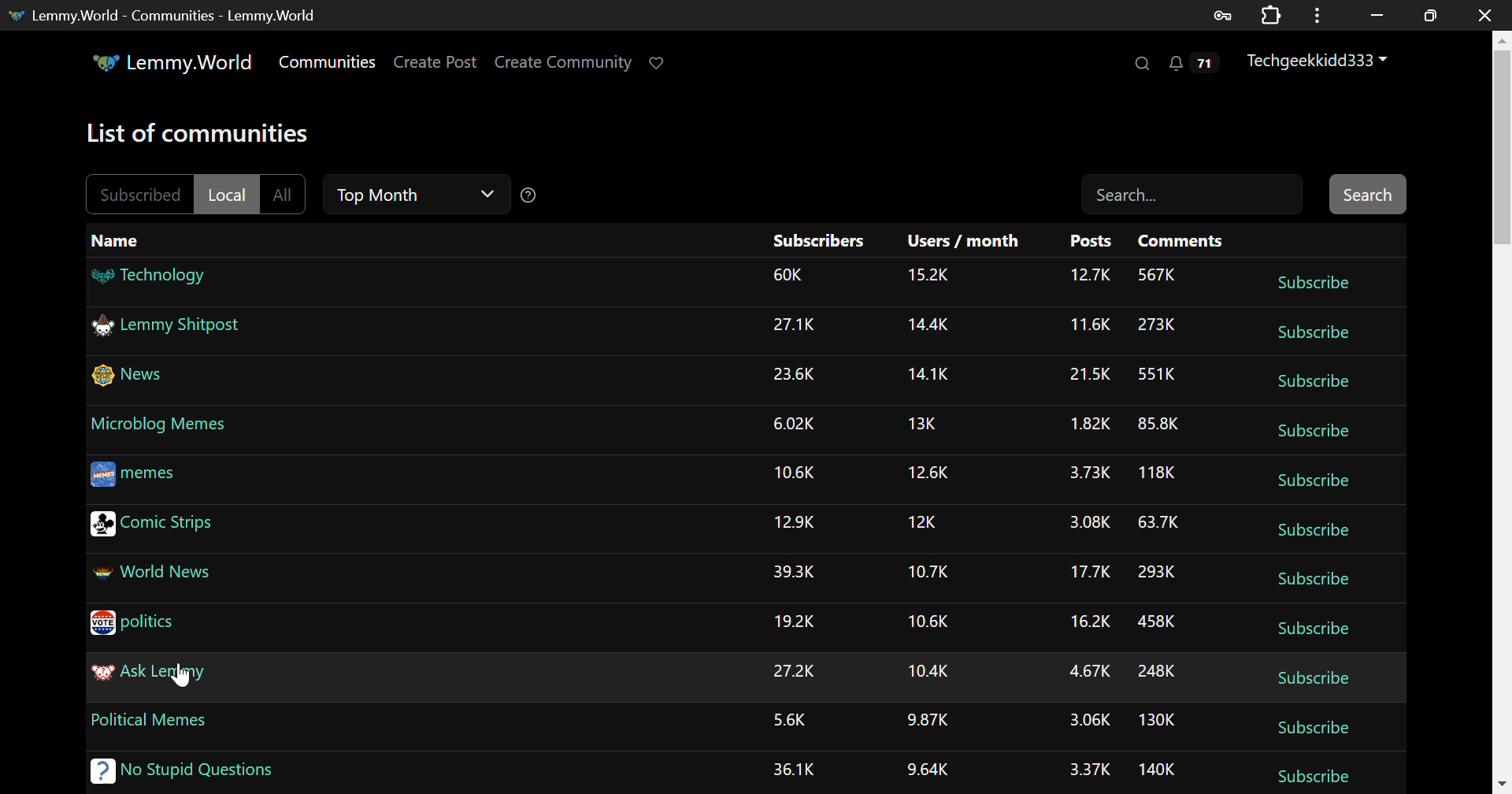 Image resolution: width=1512 pixels, height=794 pixels. Describe the element at coordinates (151, 572) in the screenshot. I see `World News Community` at that location.